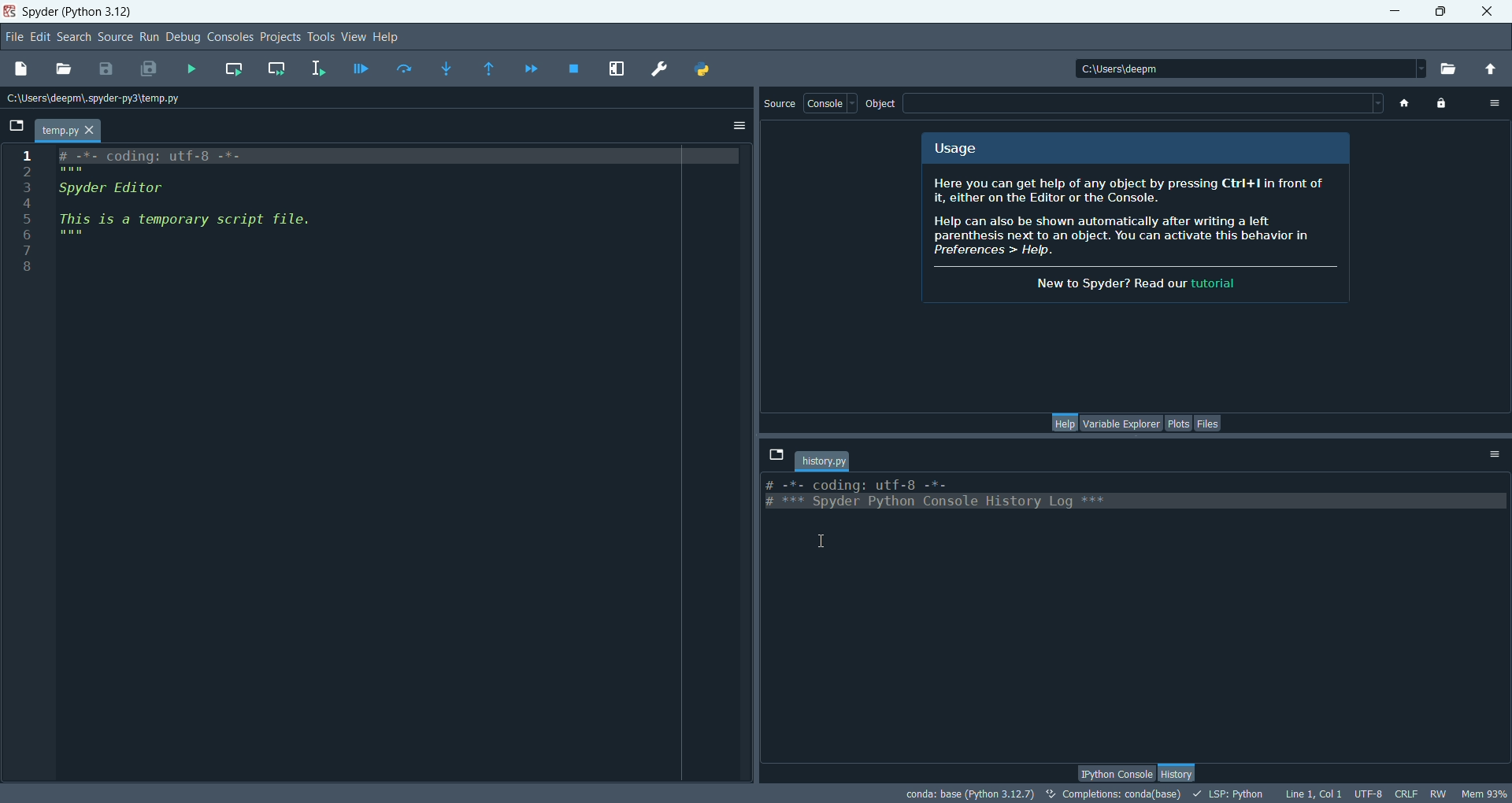 The image size is (1512, 803). Describe the element at coordinates (69, 131) in the screenshot. I see `temp.py` at that location.